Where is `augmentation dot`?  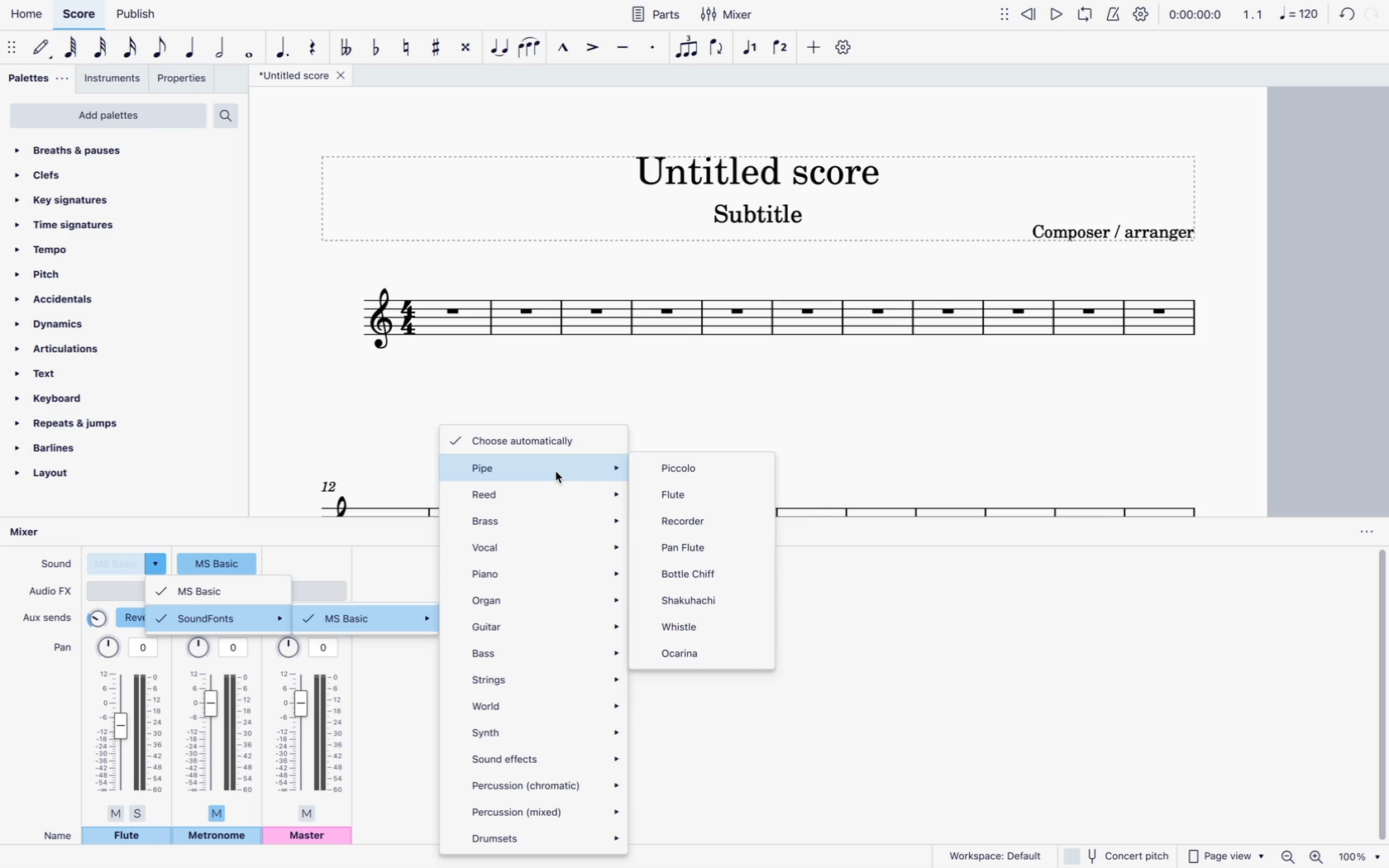
augmentation dot is located at coordinates (283, 45).